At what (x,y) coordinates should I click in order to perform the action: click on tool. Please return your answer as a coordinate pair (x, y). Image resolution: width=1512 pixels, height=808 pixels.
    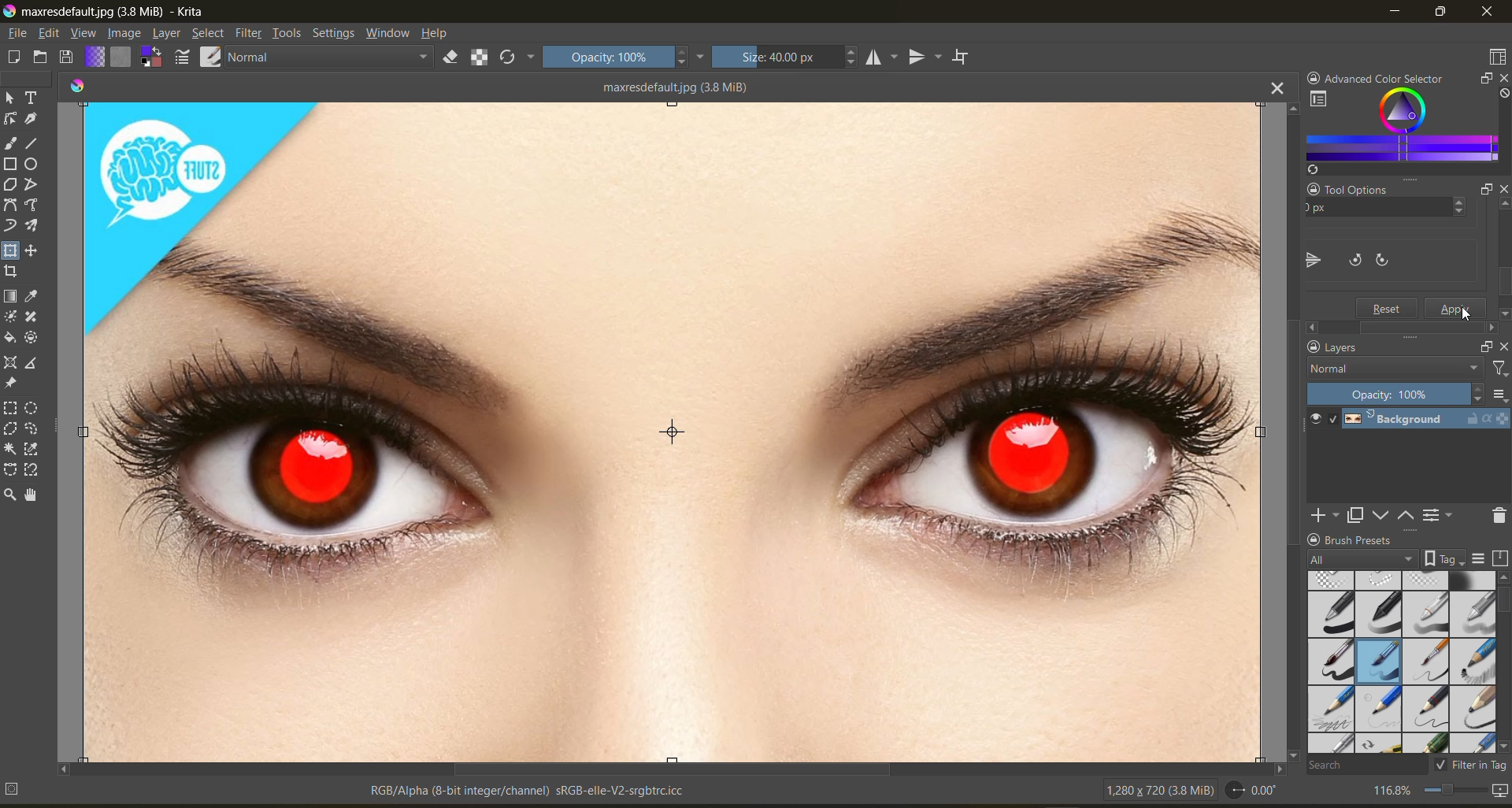
    Looking at the image, I should click on (11, 409).